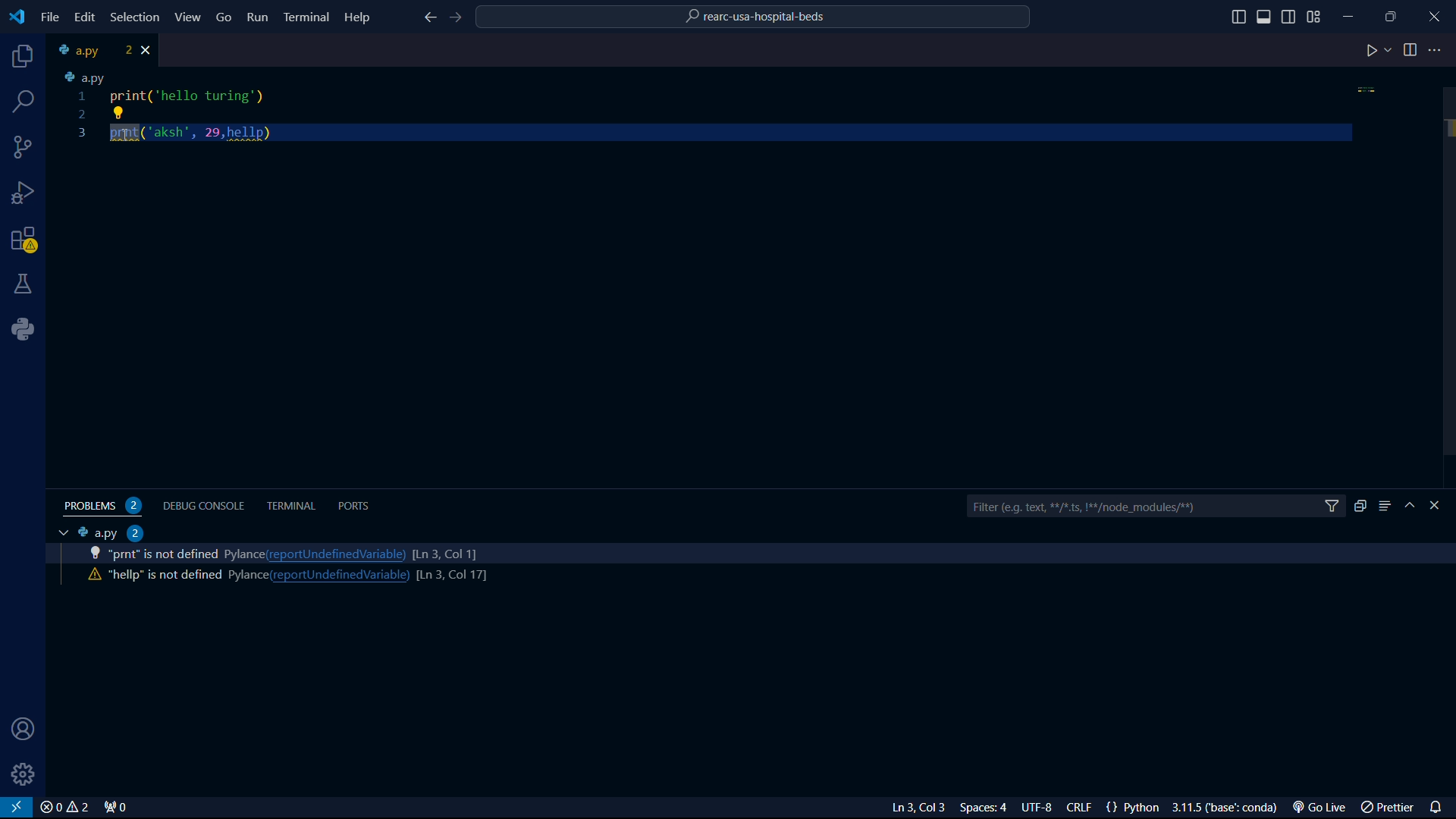 Image resolution: width=1456 pixels, height=819 pixels. Describe the element at coordinates (1389, 808) in the screenshot. I see `prettier` at that location.